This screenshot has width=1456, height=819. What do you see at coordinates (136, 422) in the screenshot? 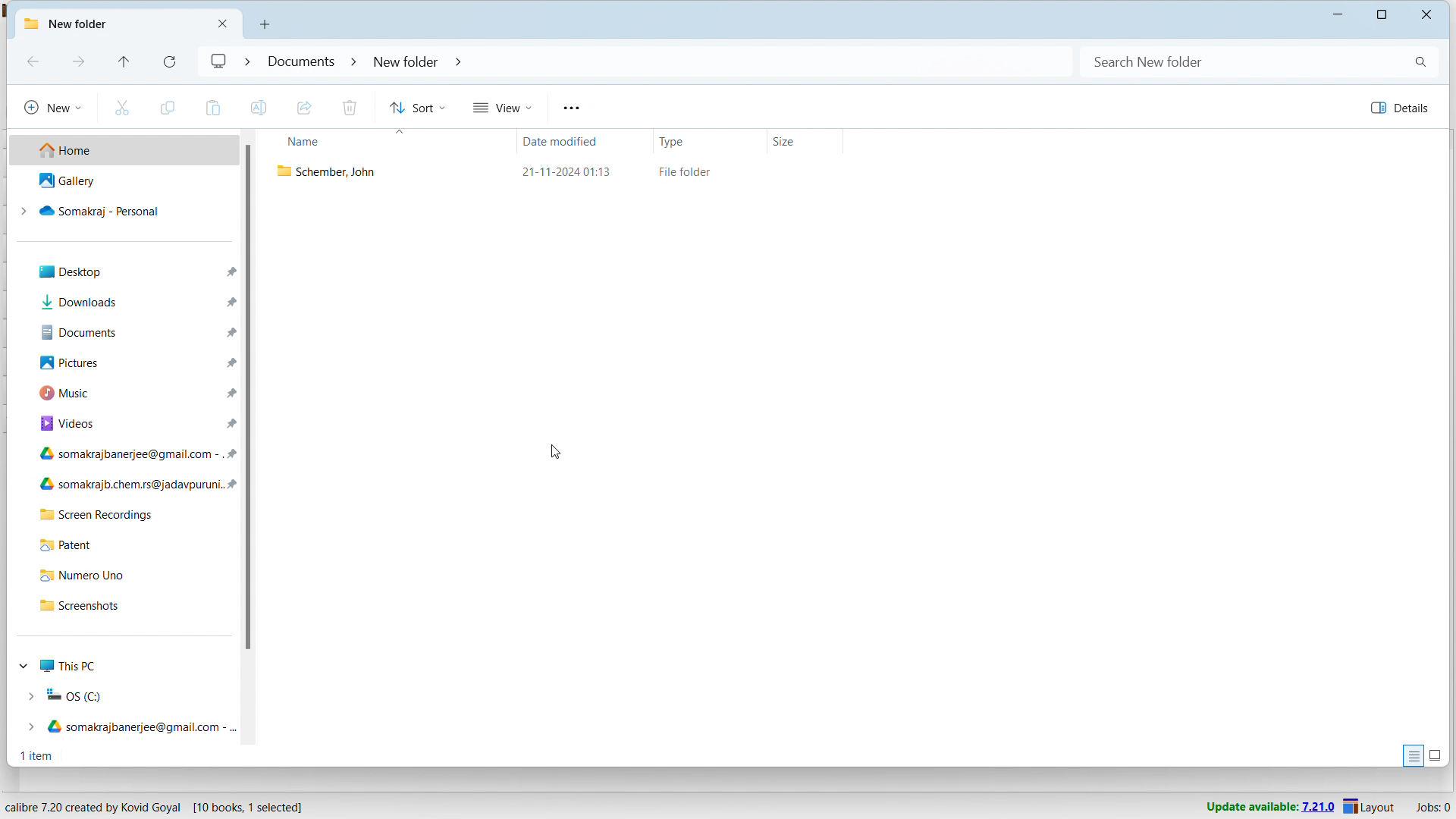
I see `videos` at bounding box center [136, 422].